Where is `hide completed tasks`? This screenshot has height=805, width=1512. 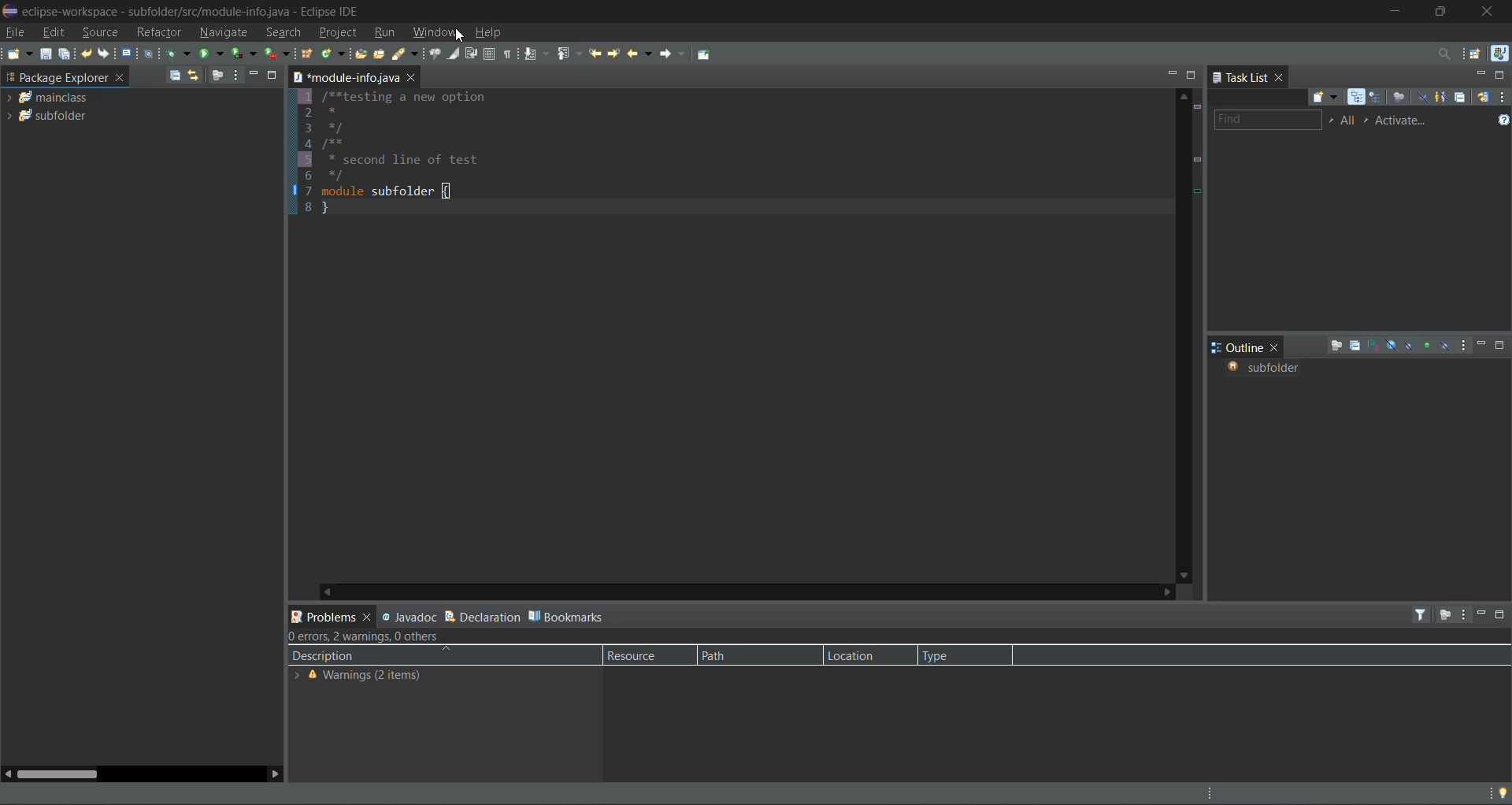
hide completed tasks is located at coordinates (1421, 98).